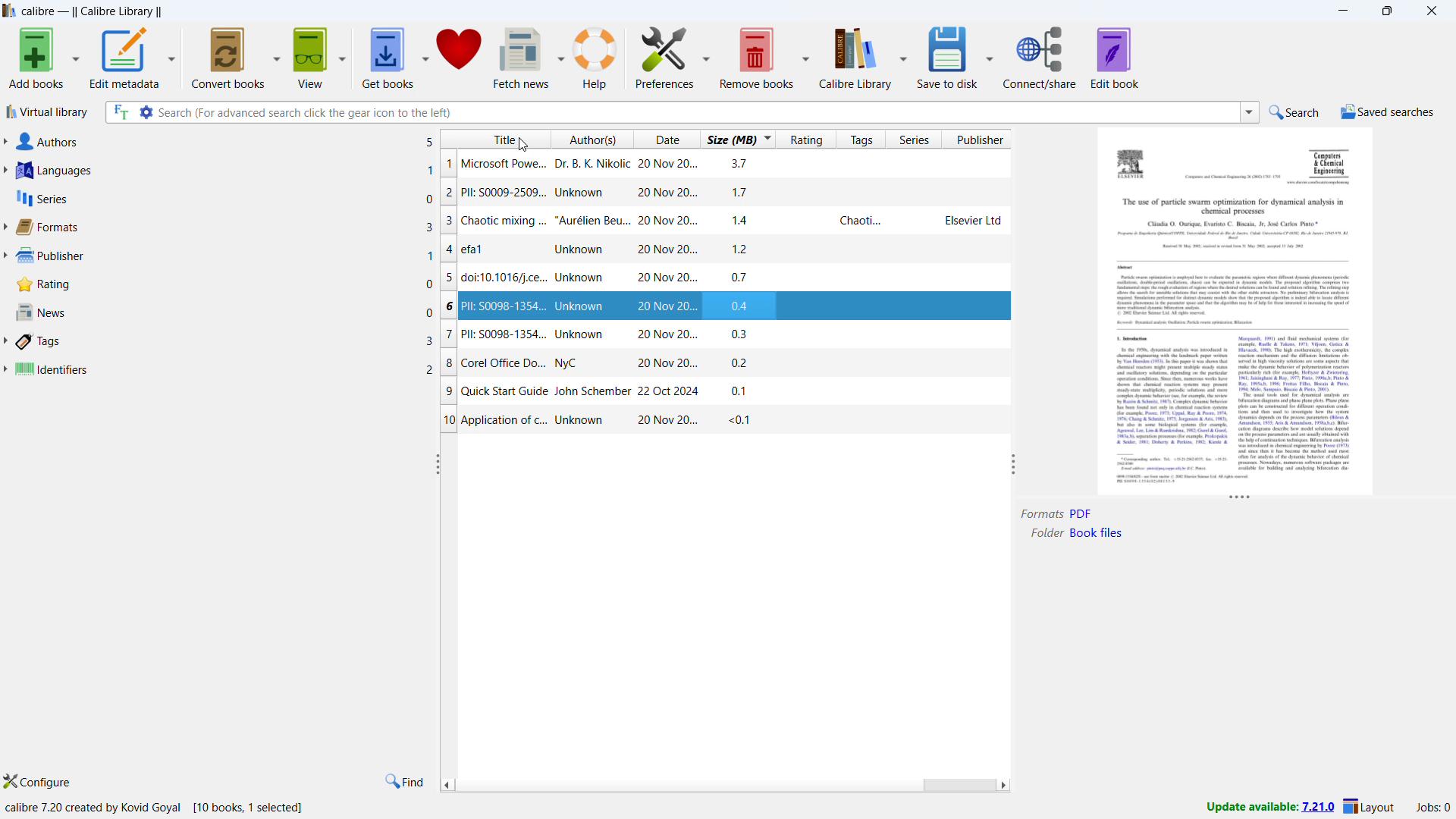 Image resolution: width=1456 pixels, height=819 pixels. I want to click on list of jobs, so click(1432, 808).